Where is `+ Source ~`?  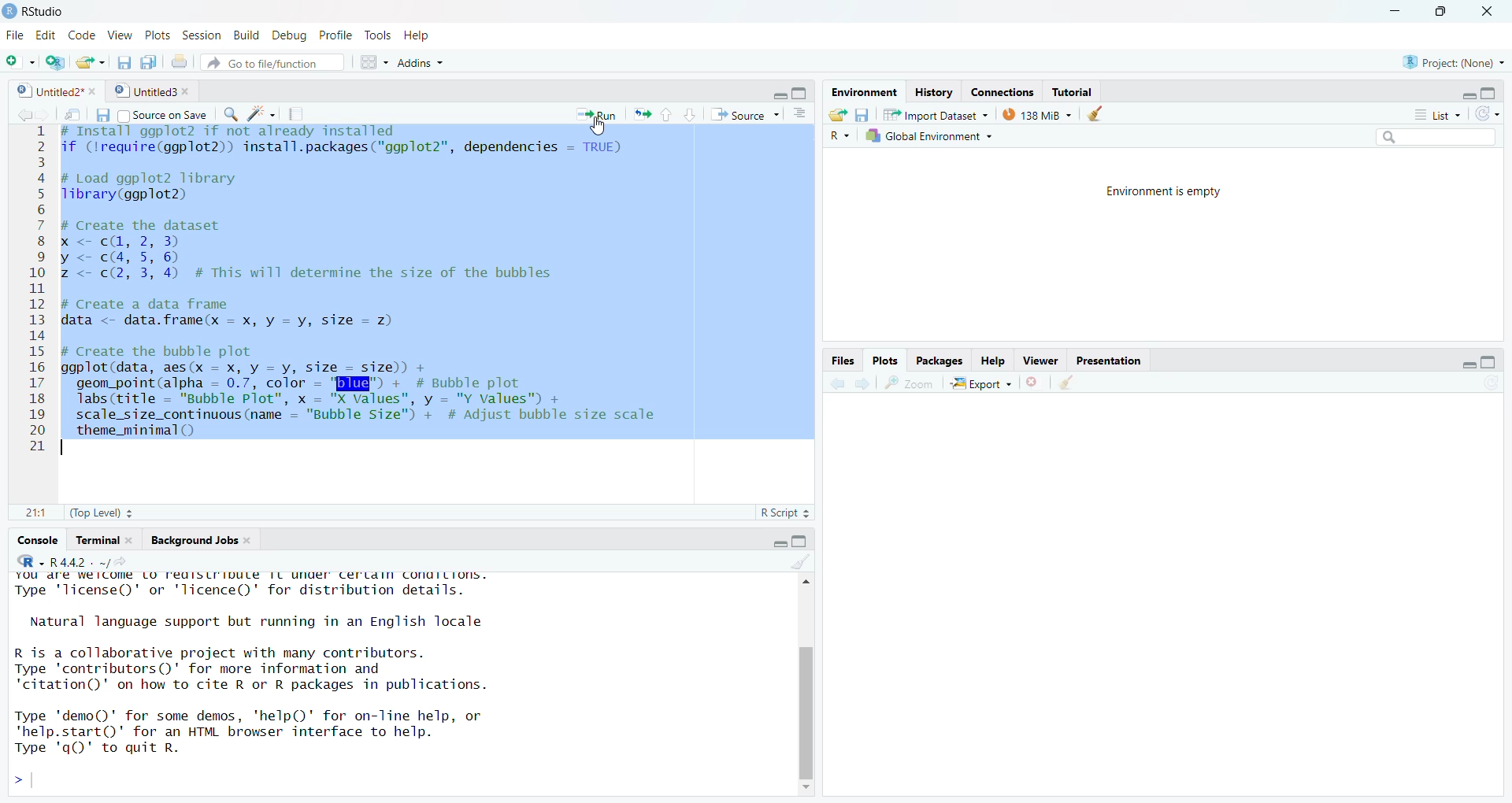
+ Source ~ is located at coordinates (743, 115).